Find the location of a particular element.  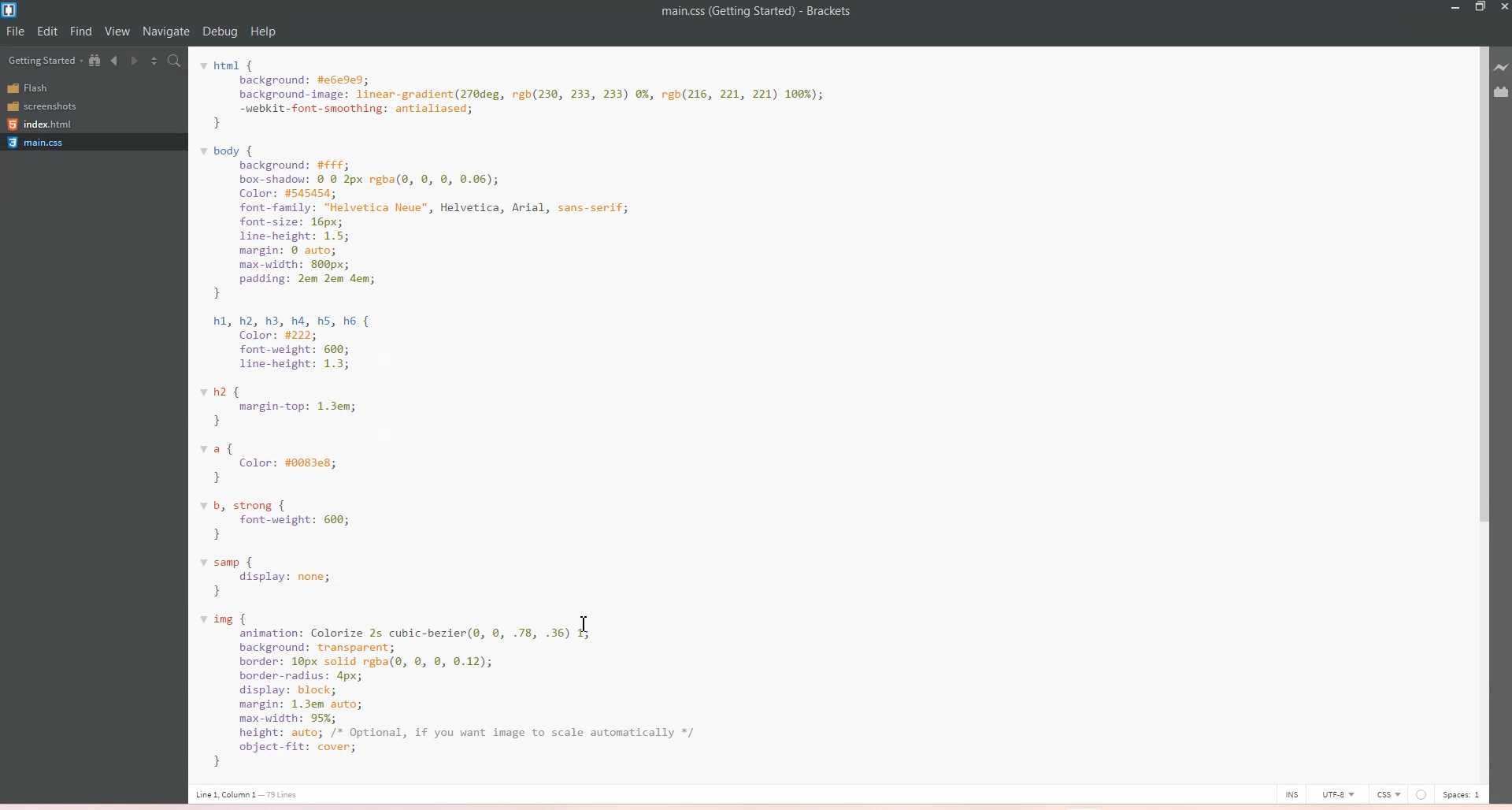

Unsaved Indicator is located at coordinates (1419, 793).